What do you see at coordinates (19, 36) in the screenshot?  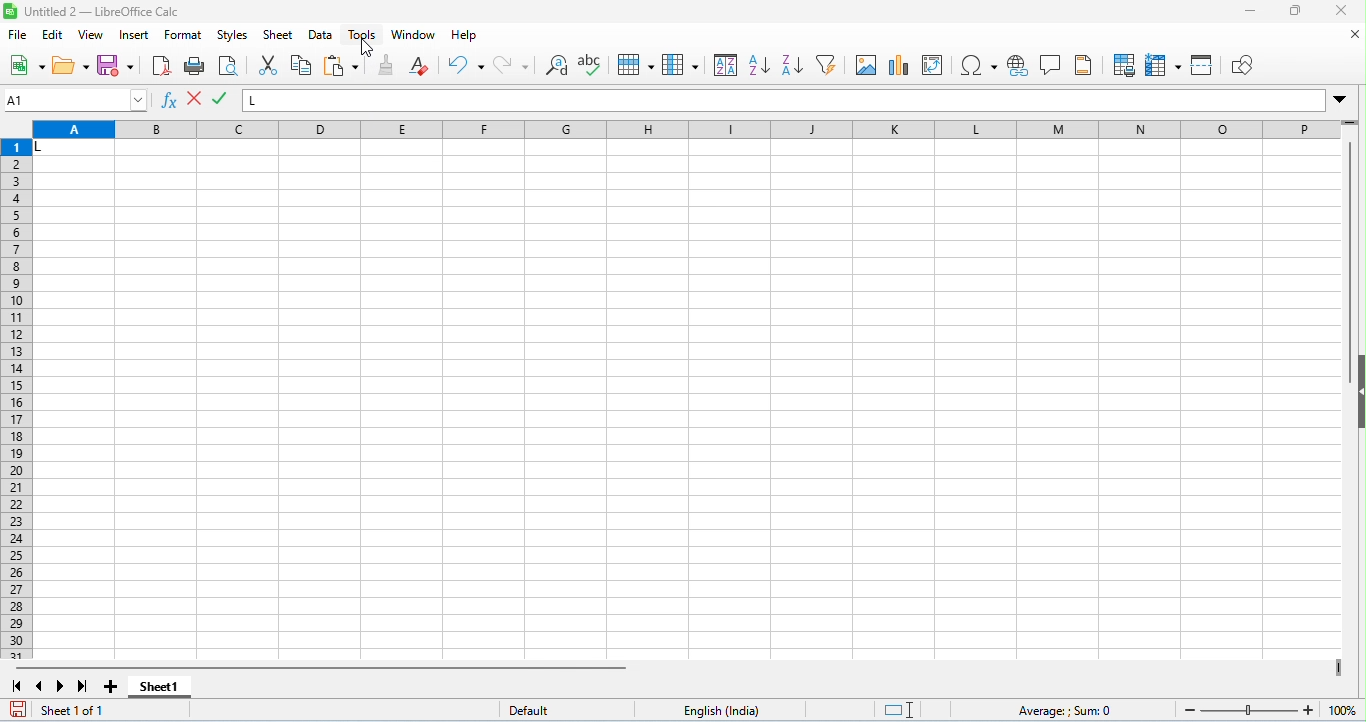 I see `file` at bounding box center [19, 36].